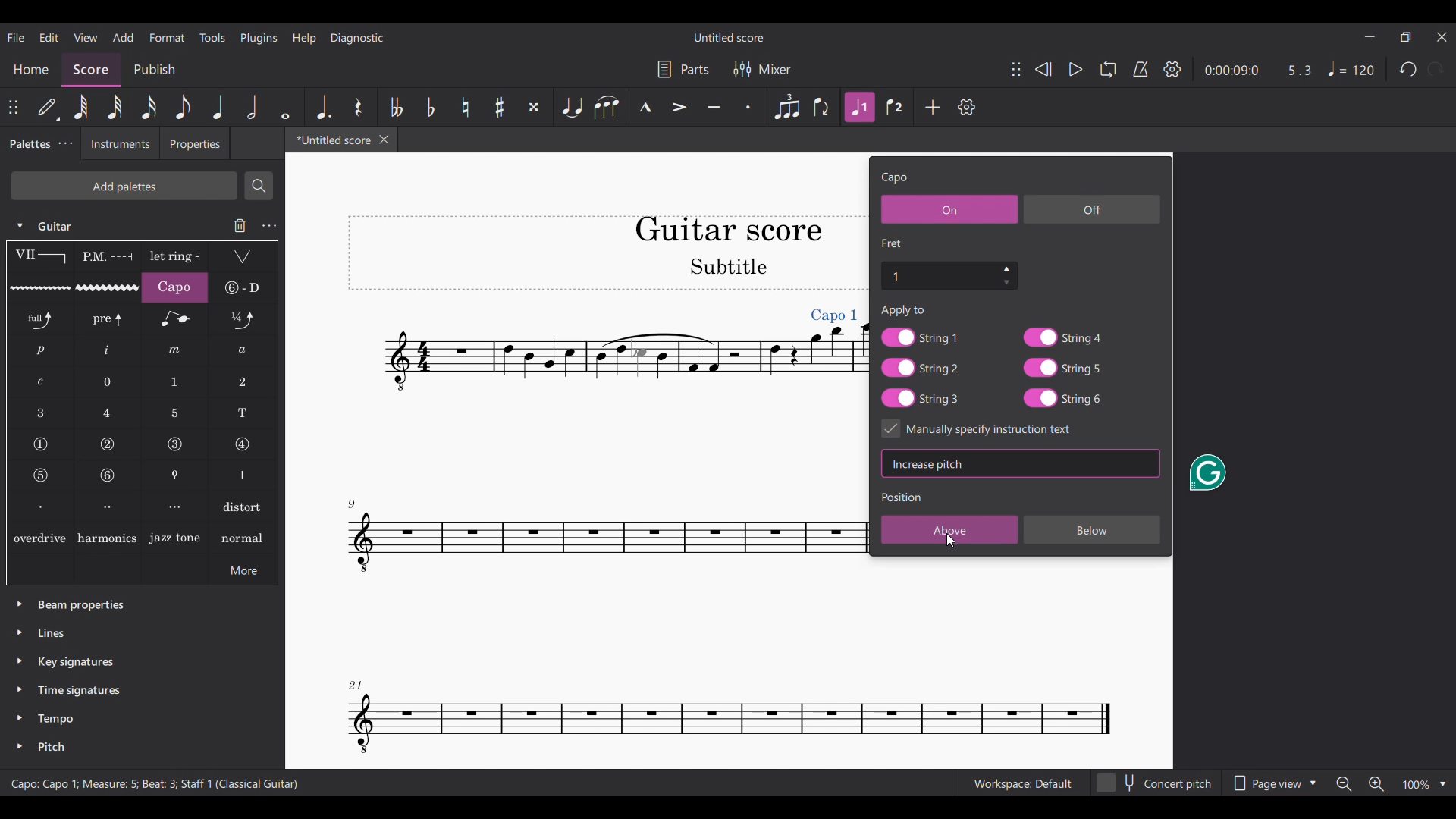  Describe the element at coordinates (106, 257) in the screenshot. I see `Palm mute` at that location.